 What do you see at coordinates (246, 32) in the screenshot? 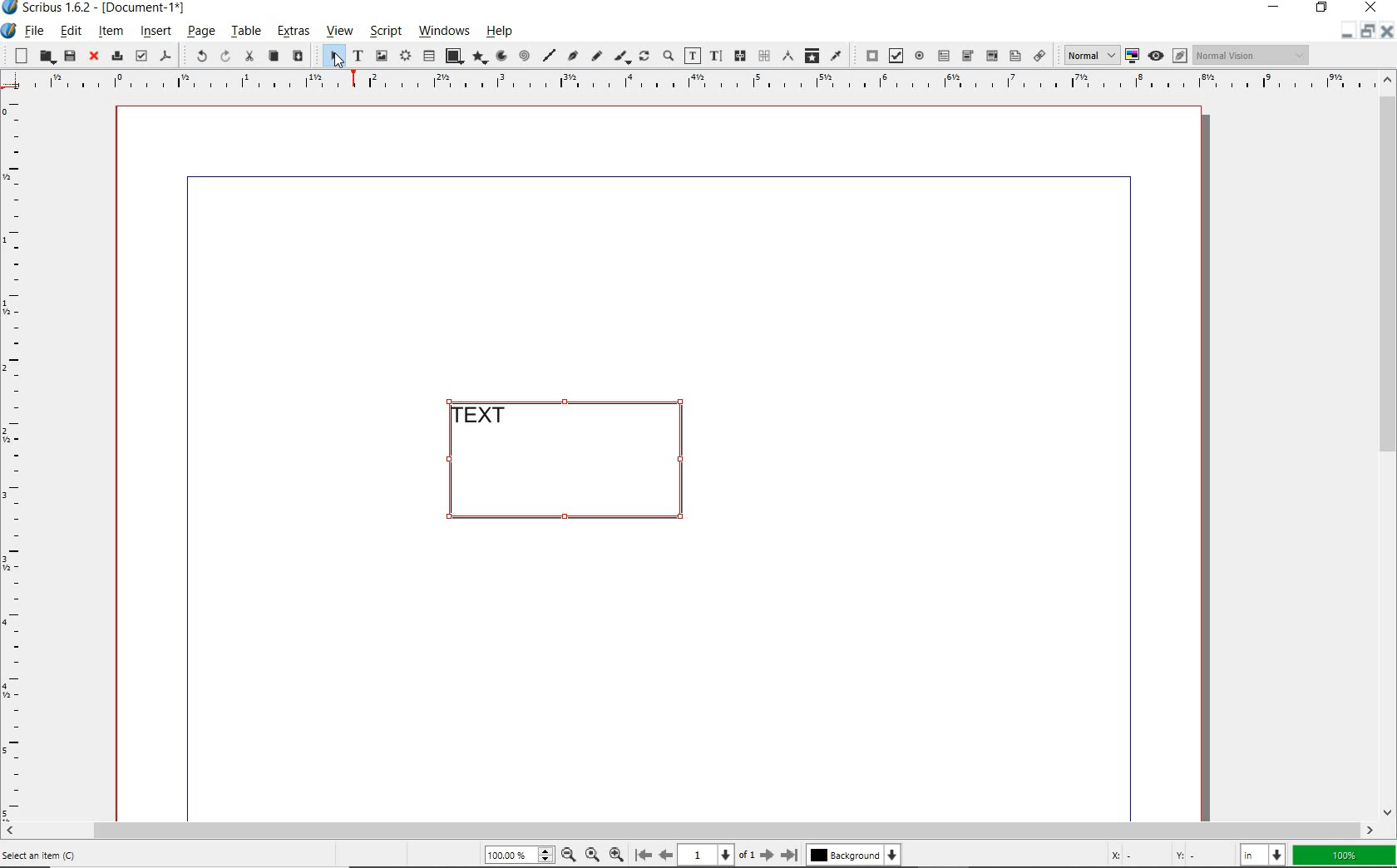
I see `table` at bounding box center [246, 32].